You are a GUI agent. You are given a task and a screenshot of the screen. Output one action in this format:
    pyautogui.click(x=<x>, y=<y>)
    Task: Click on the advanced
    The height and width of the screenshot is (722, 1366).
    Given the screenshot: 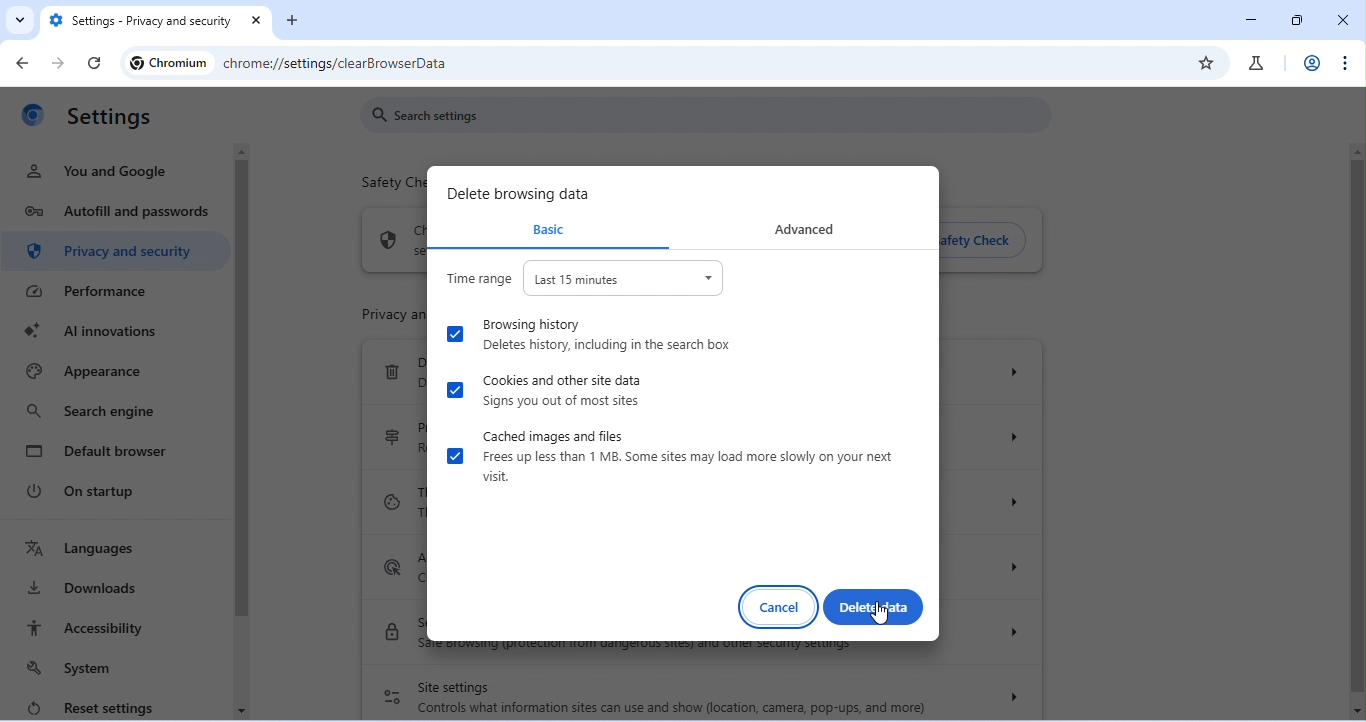 What is the action you would take?
    pyautogui.click(x=805, y=228)
    